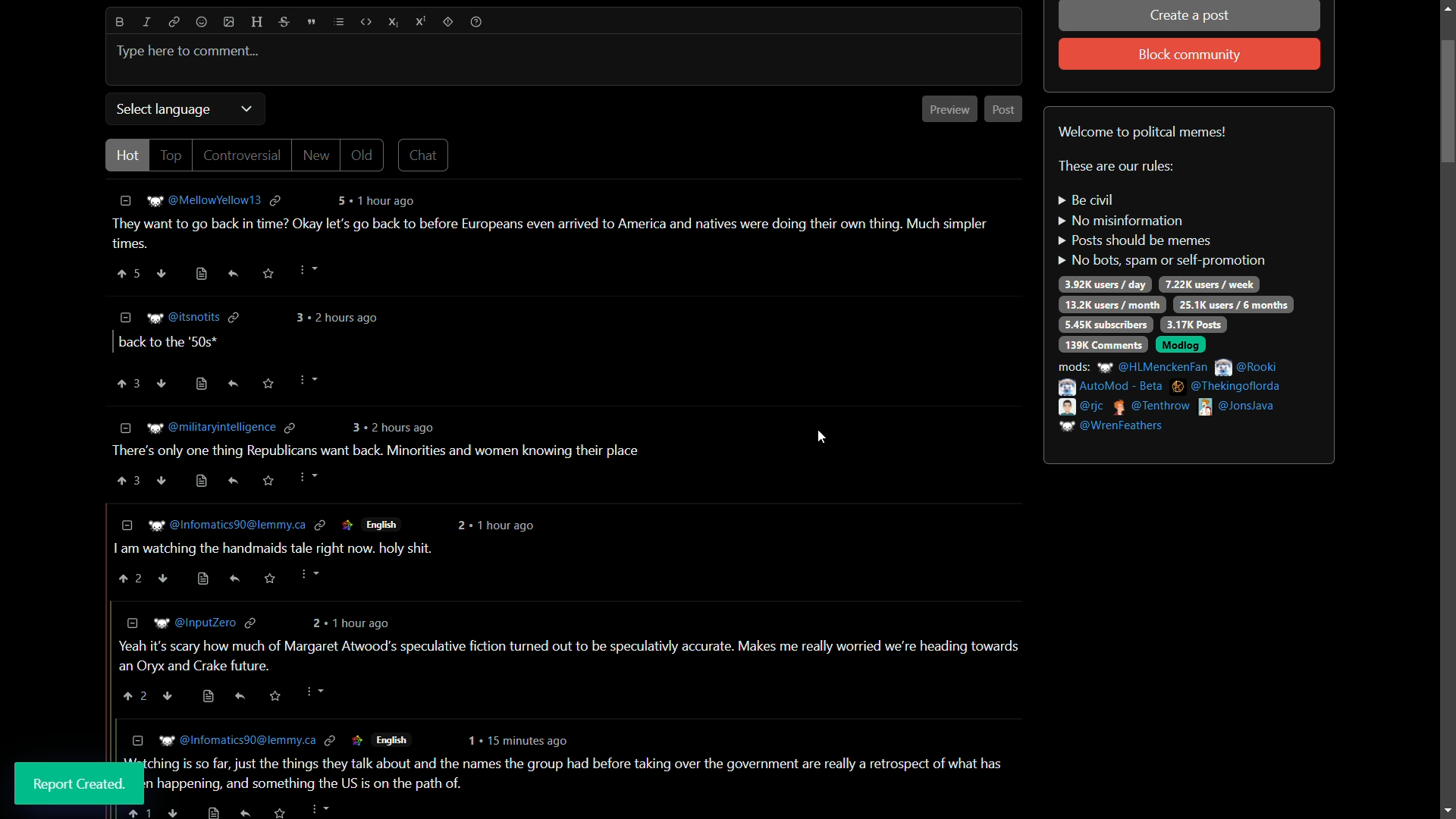  What do you see at coordinates (448, 22) in the screenshot?
I see `spoiler` at bounding box center [448, 22].